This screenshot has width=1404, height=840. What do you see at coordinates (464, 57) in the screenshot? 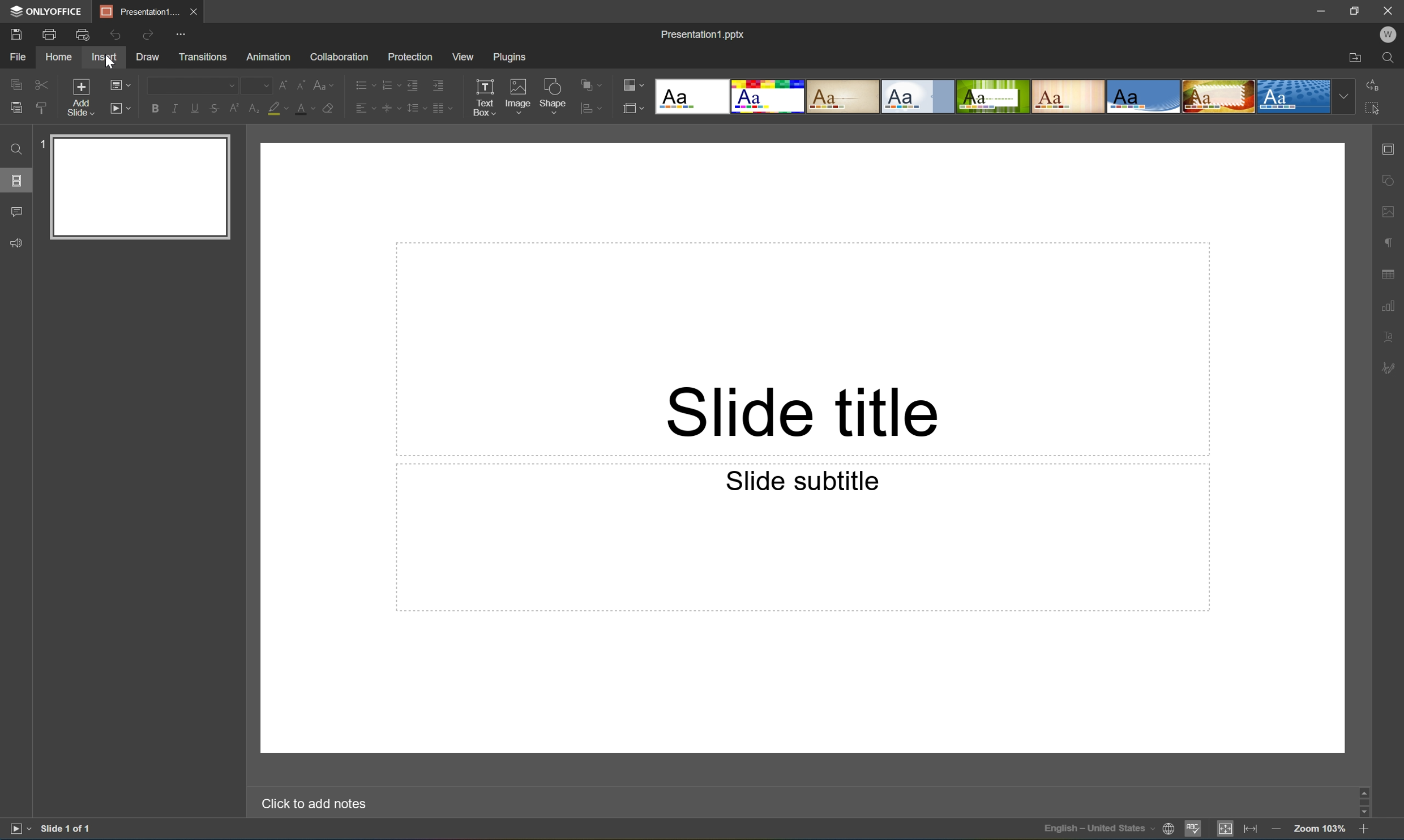
I see `View` at bounding box center [464, 57].